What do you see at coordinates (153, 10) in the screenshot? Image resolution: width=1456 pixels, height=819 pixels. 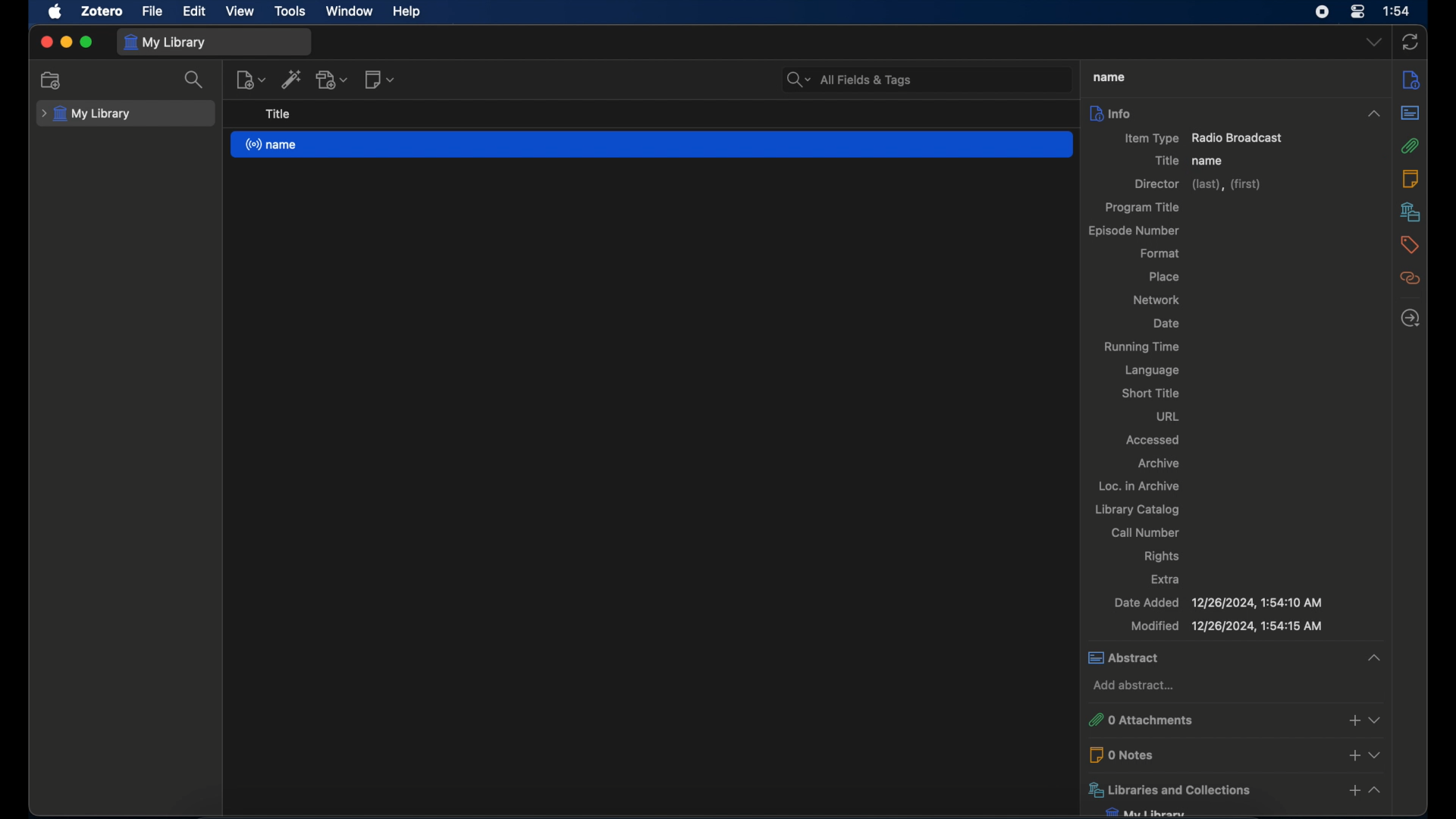 I see `file` at bounding box center [153, 10].